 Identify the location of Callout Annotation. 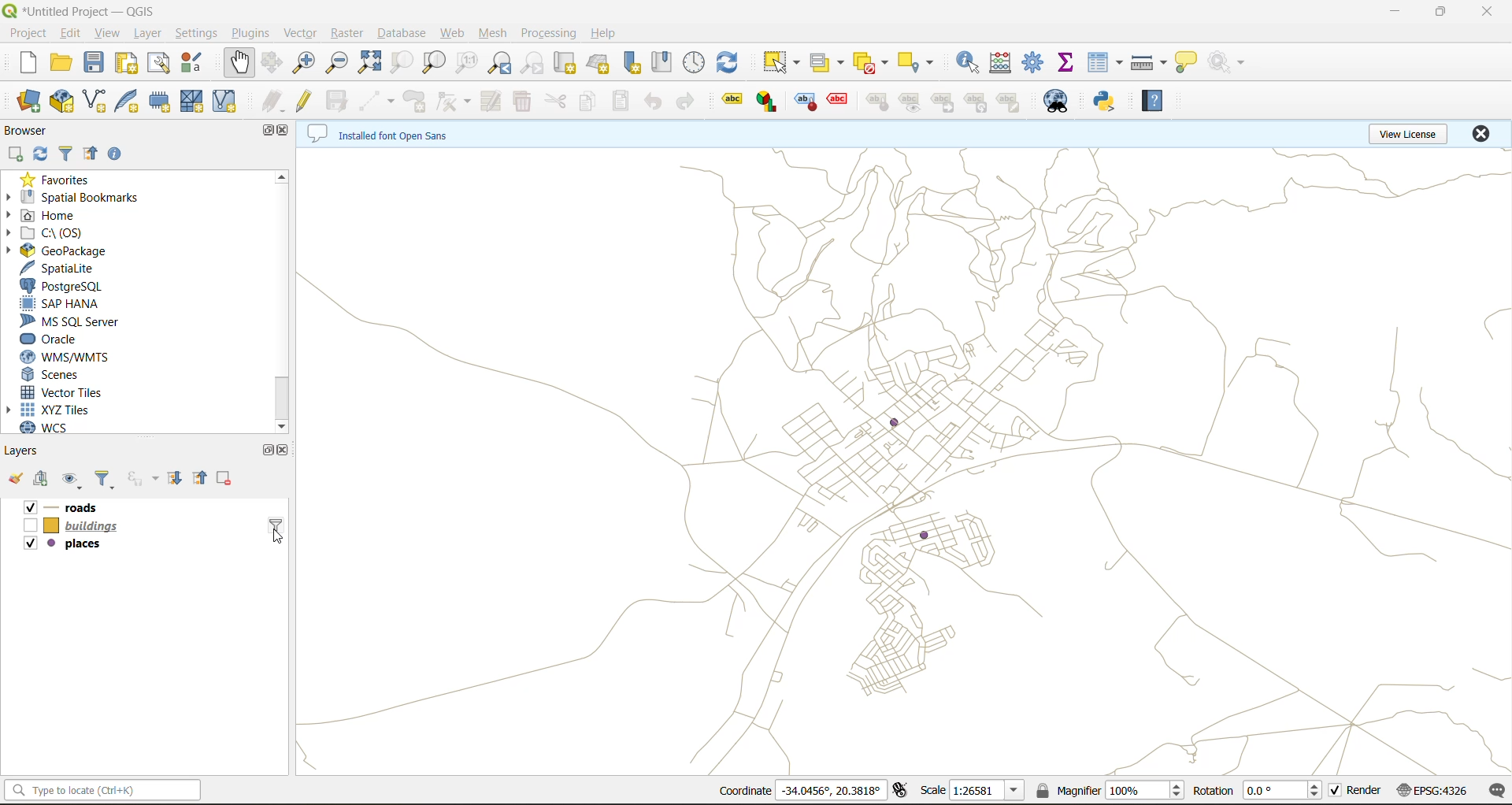
(836, 100).